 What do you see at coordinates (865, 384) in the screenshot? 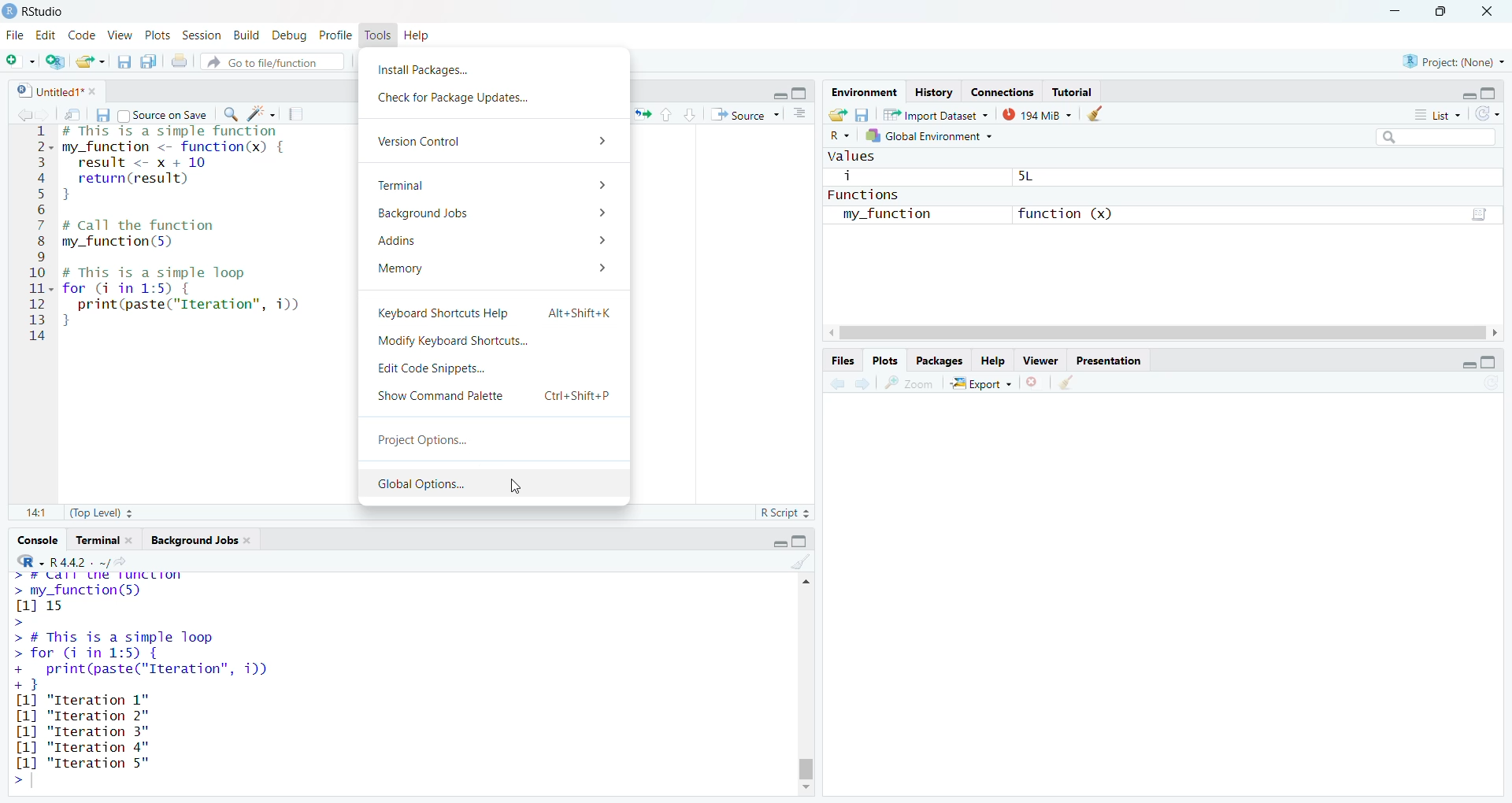
I see `next plot` at bounding box center [865, 384].